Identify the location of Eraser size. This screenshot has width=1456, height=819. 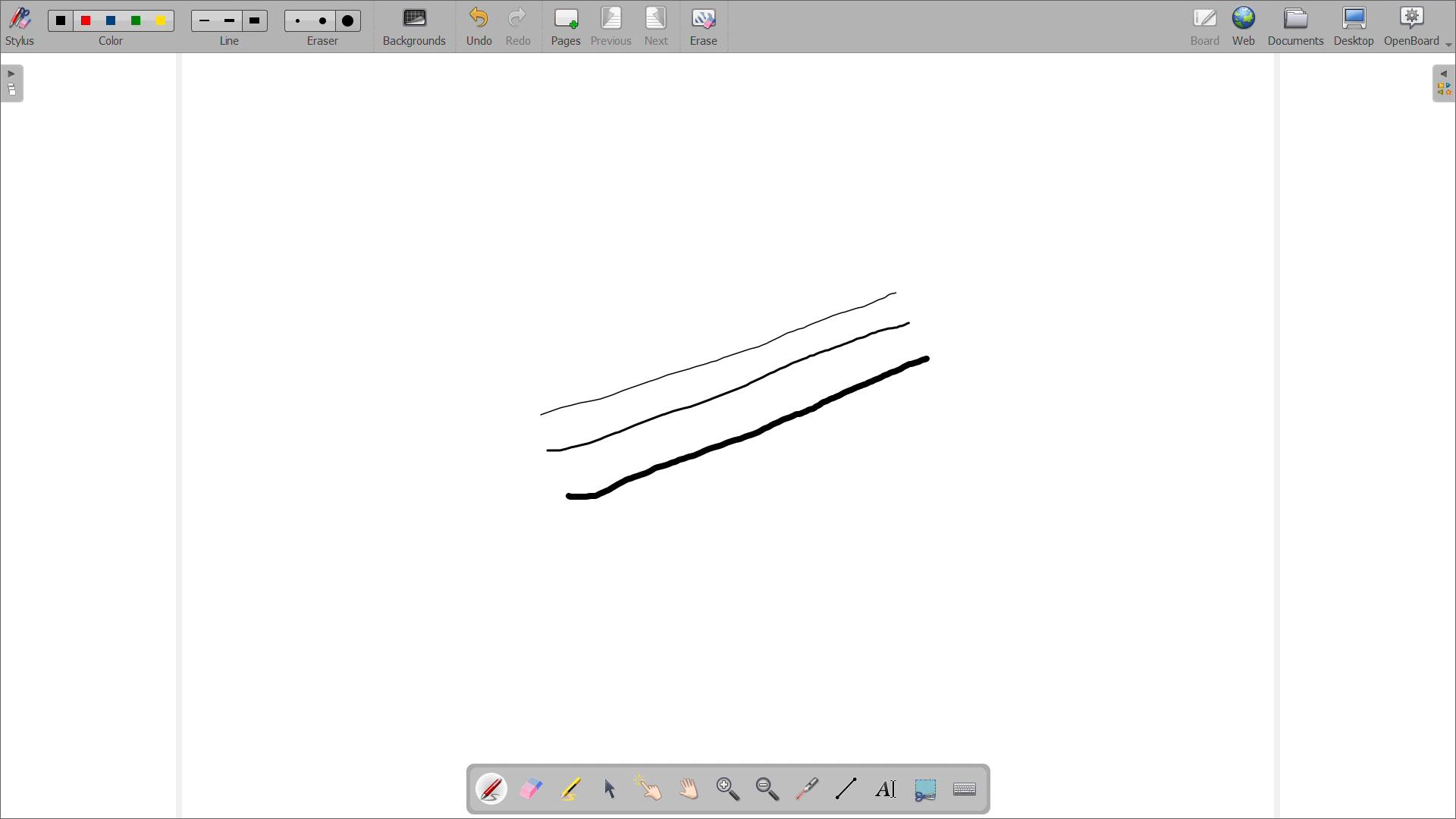
(299, 20).